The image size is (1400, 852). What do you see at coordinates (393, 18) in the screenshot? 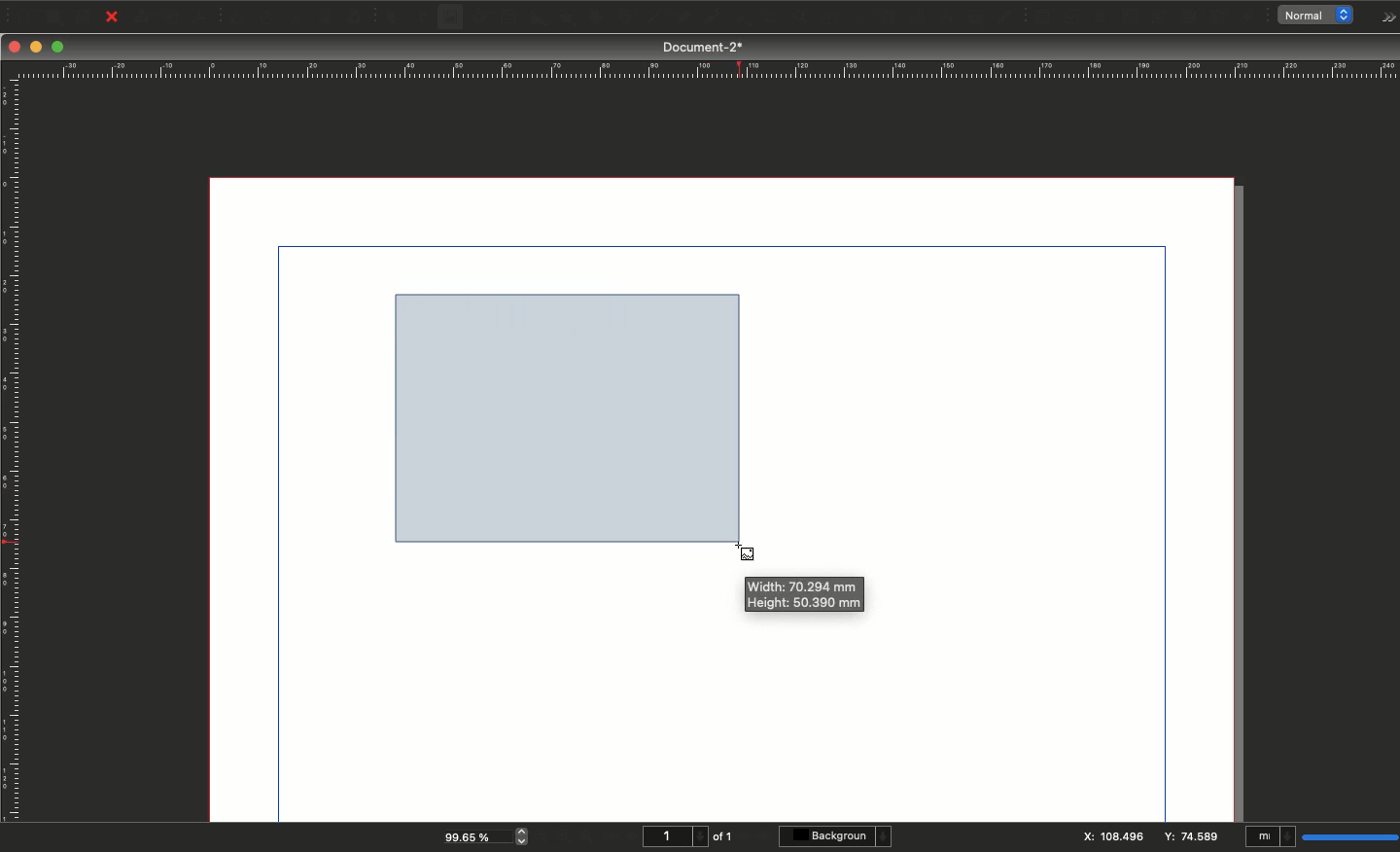
I see `Select item` at bounding box center [393, 18].